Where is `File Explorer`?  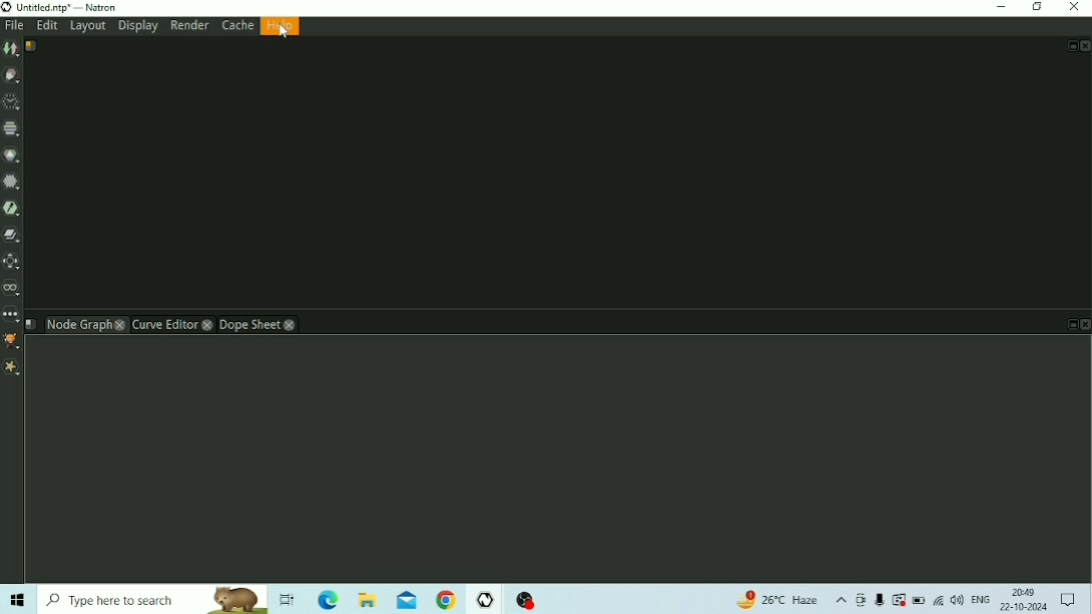 File Explorer is located at coordinates (369, 599).